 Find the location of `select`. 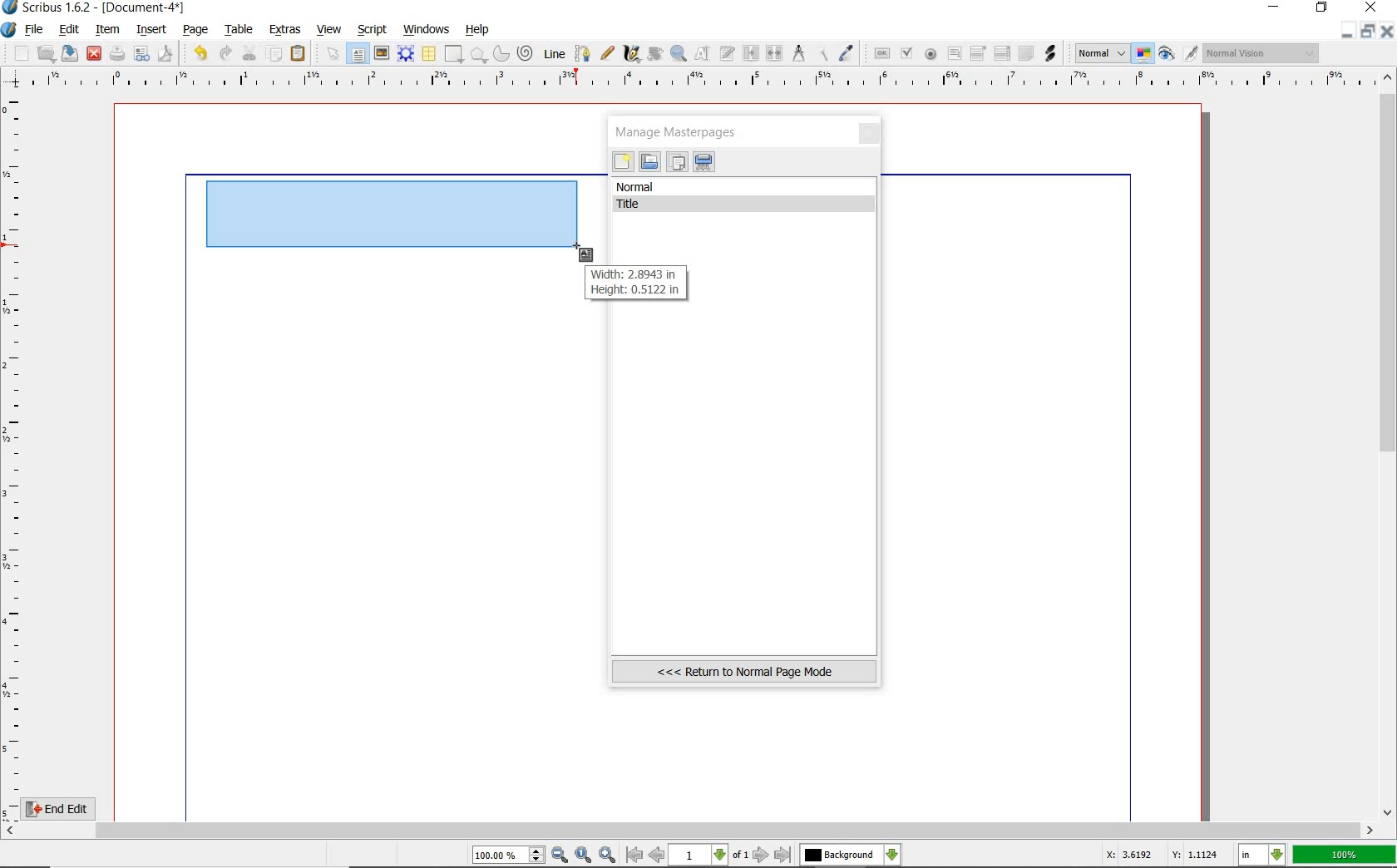

select is located at coordinates (330, 53).